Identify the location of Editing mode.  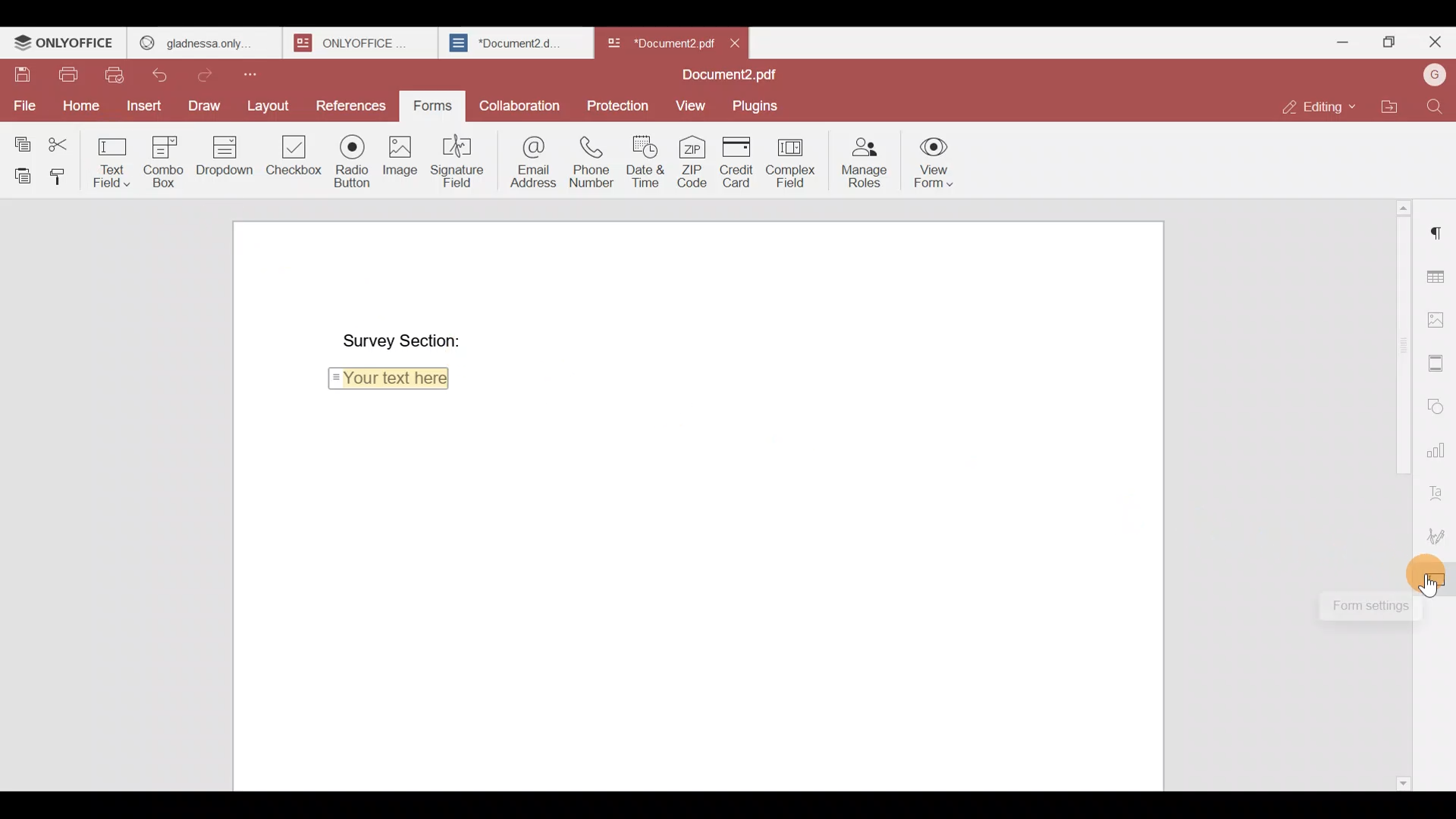
(1321, 102).